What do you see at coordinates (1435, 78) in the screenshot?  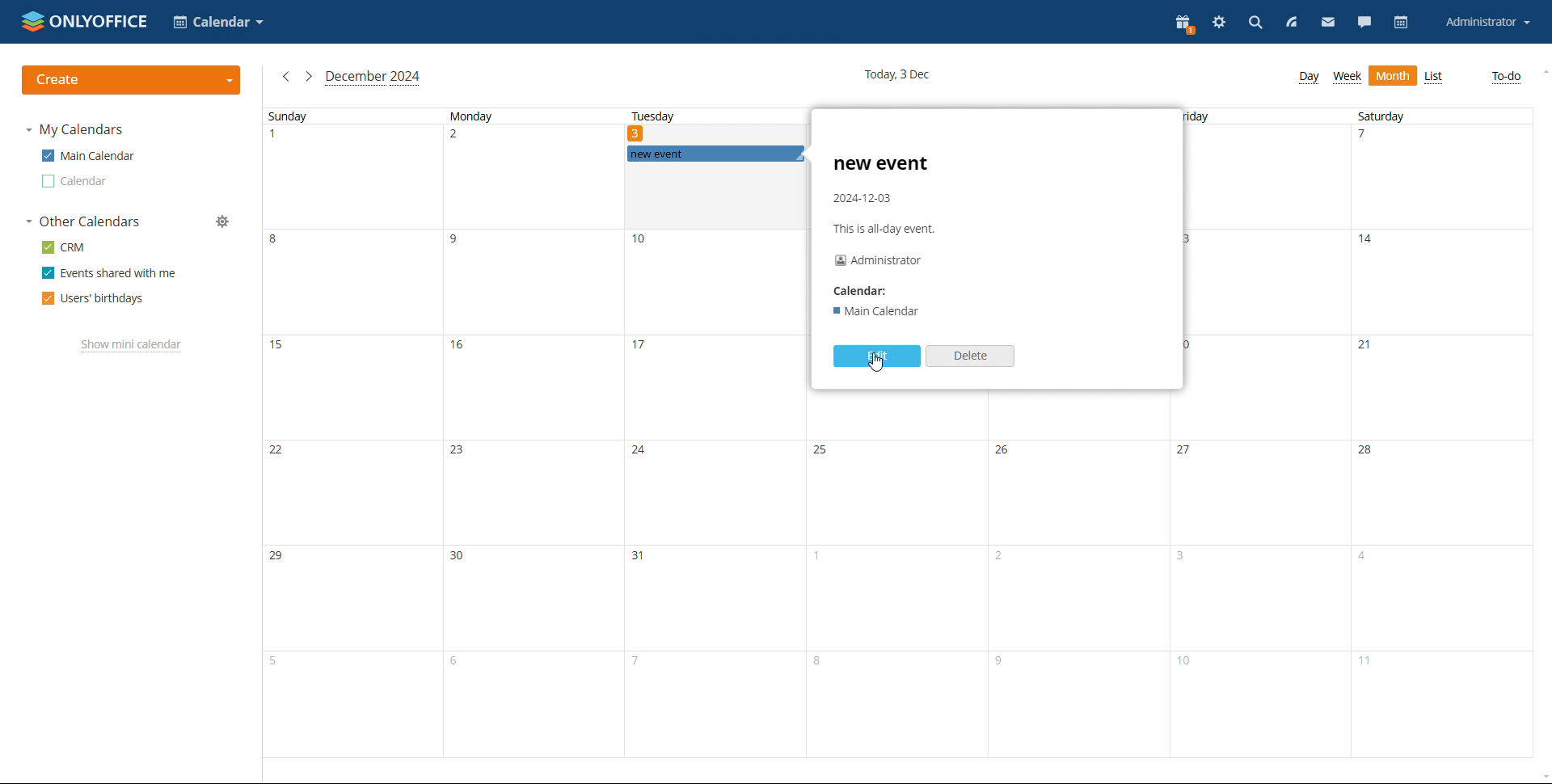 I see `list view` at bounding box center [1435, 78].